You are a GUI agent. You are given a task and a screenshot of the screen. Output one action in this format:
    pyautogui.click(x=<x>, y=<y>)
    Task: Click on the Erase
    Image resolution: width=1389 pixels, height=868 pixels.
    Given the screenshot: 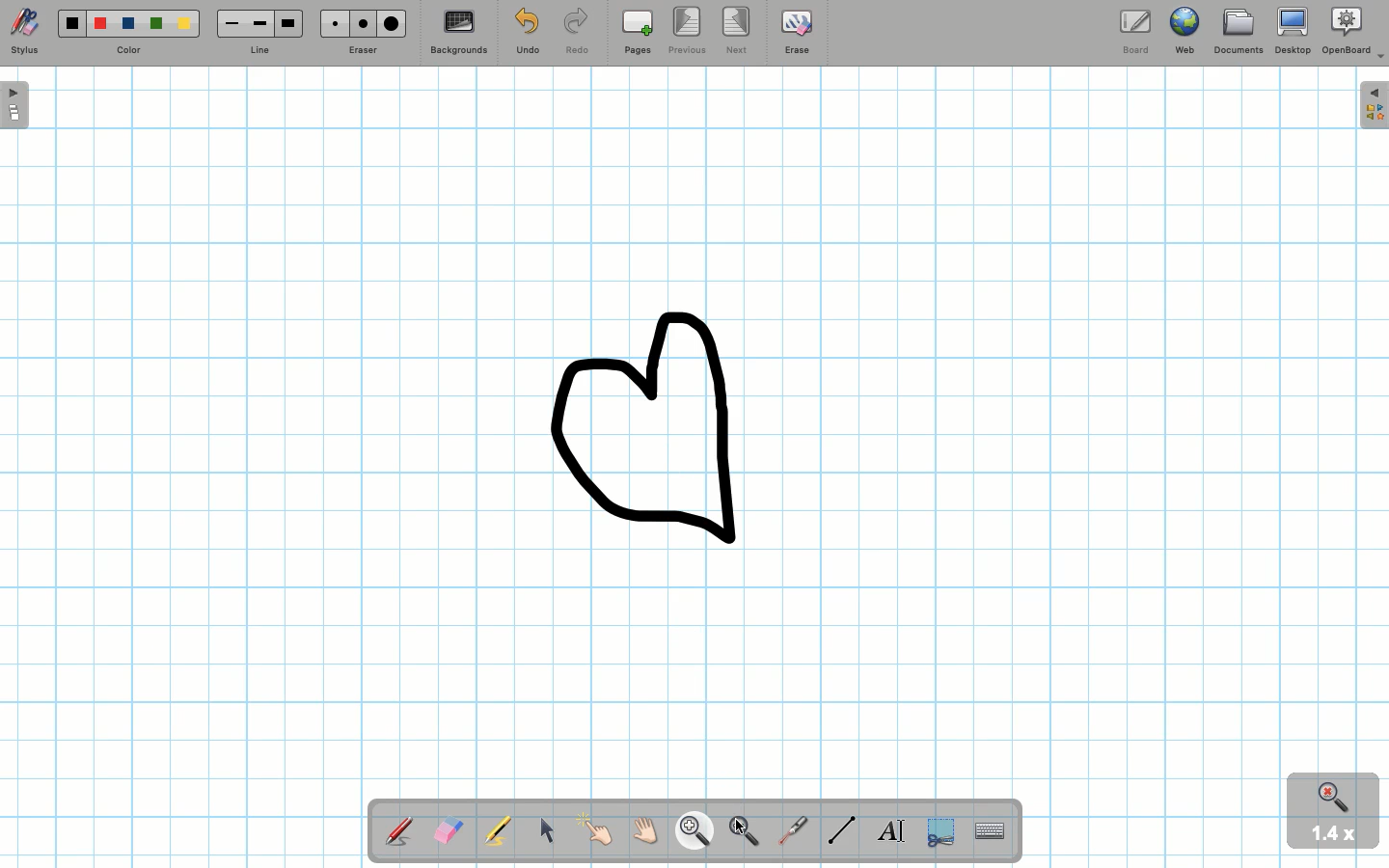 What is the action you would take?
    pyautogui.click(x=797, y=36)
    